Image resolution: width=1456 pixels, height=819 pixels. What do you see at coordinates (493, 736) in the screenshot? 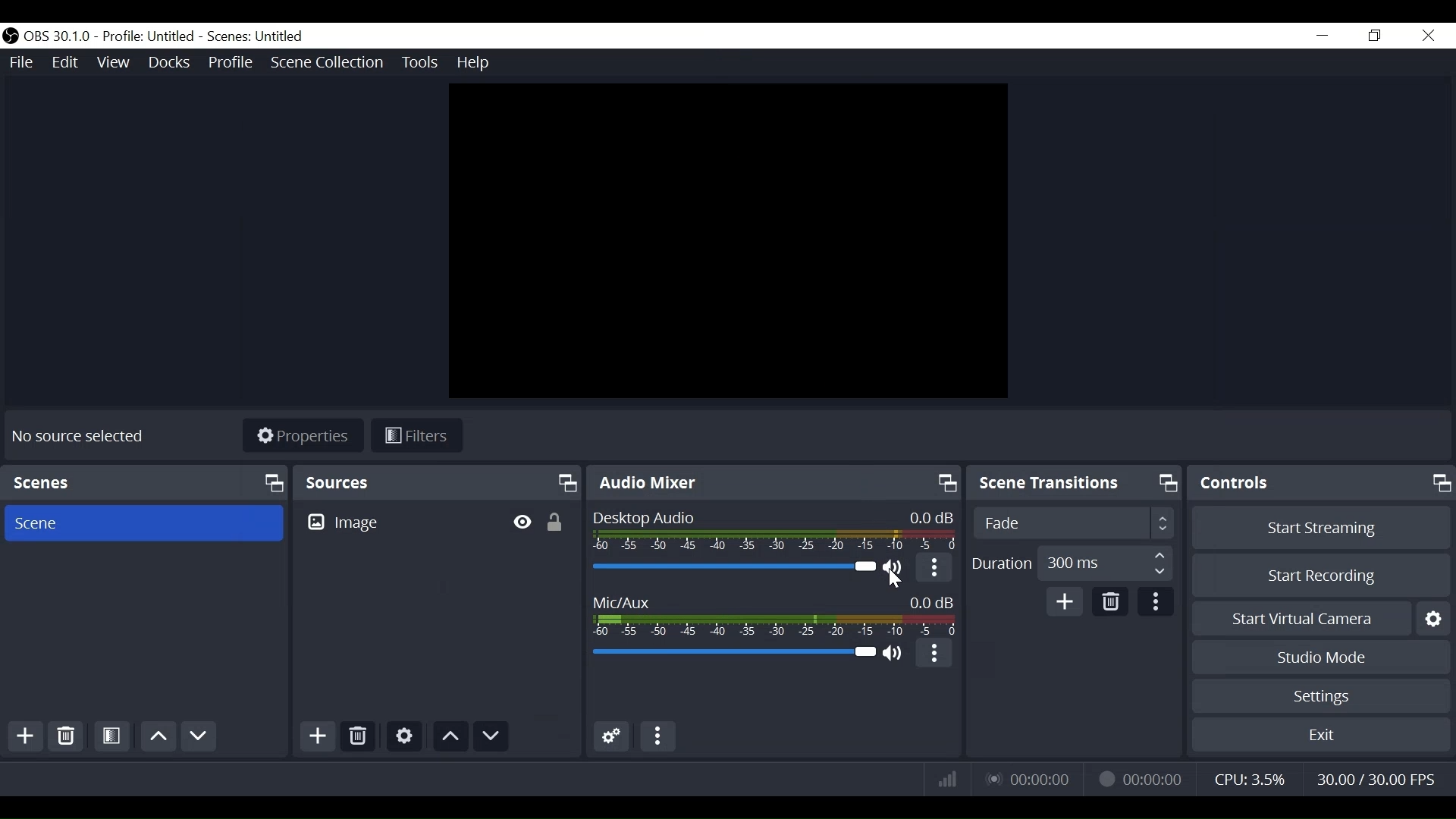
I see `Move down` at bounding box center [493, 736].